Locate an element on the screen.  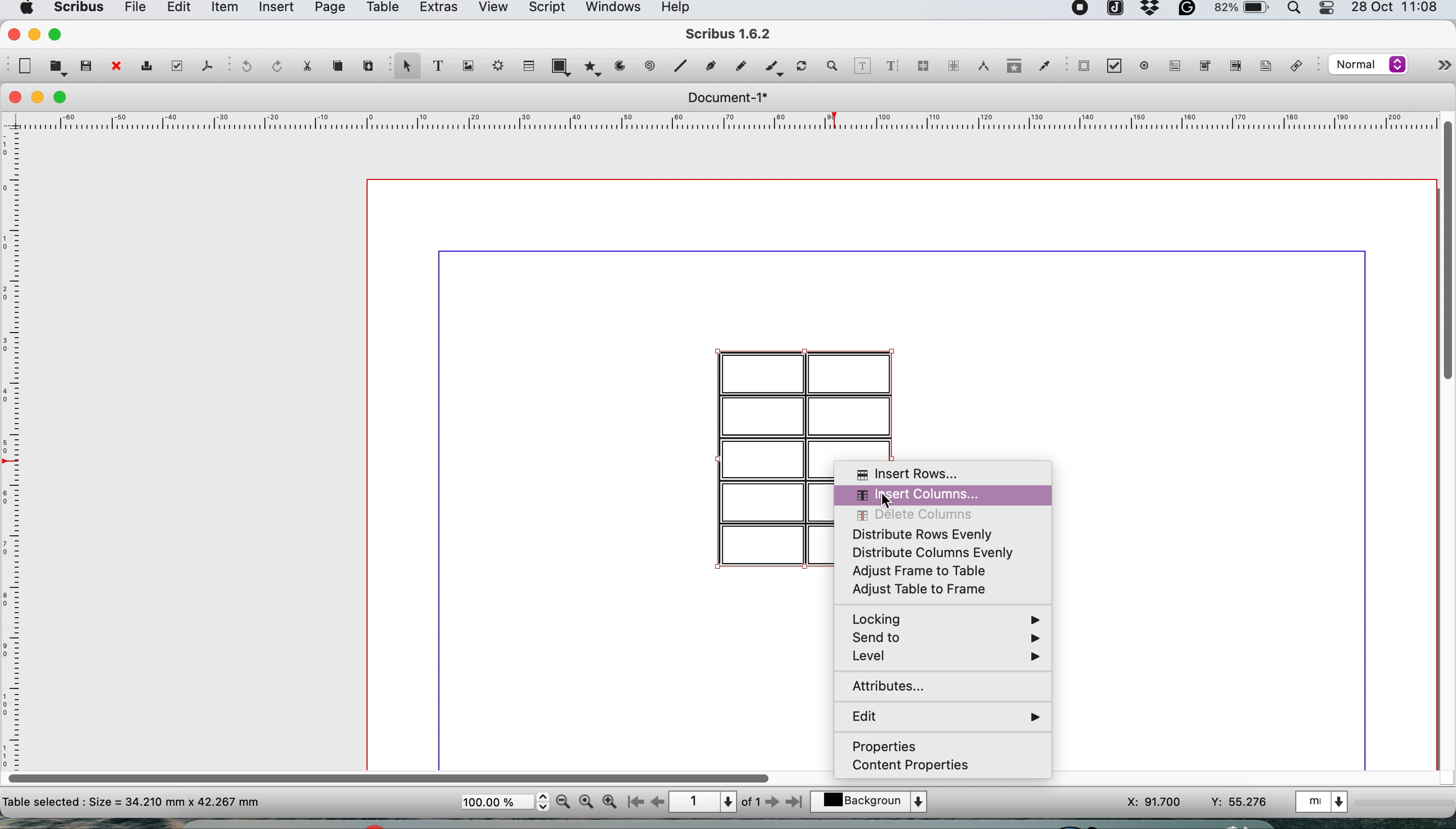
page is located at coordinates (328, 10).